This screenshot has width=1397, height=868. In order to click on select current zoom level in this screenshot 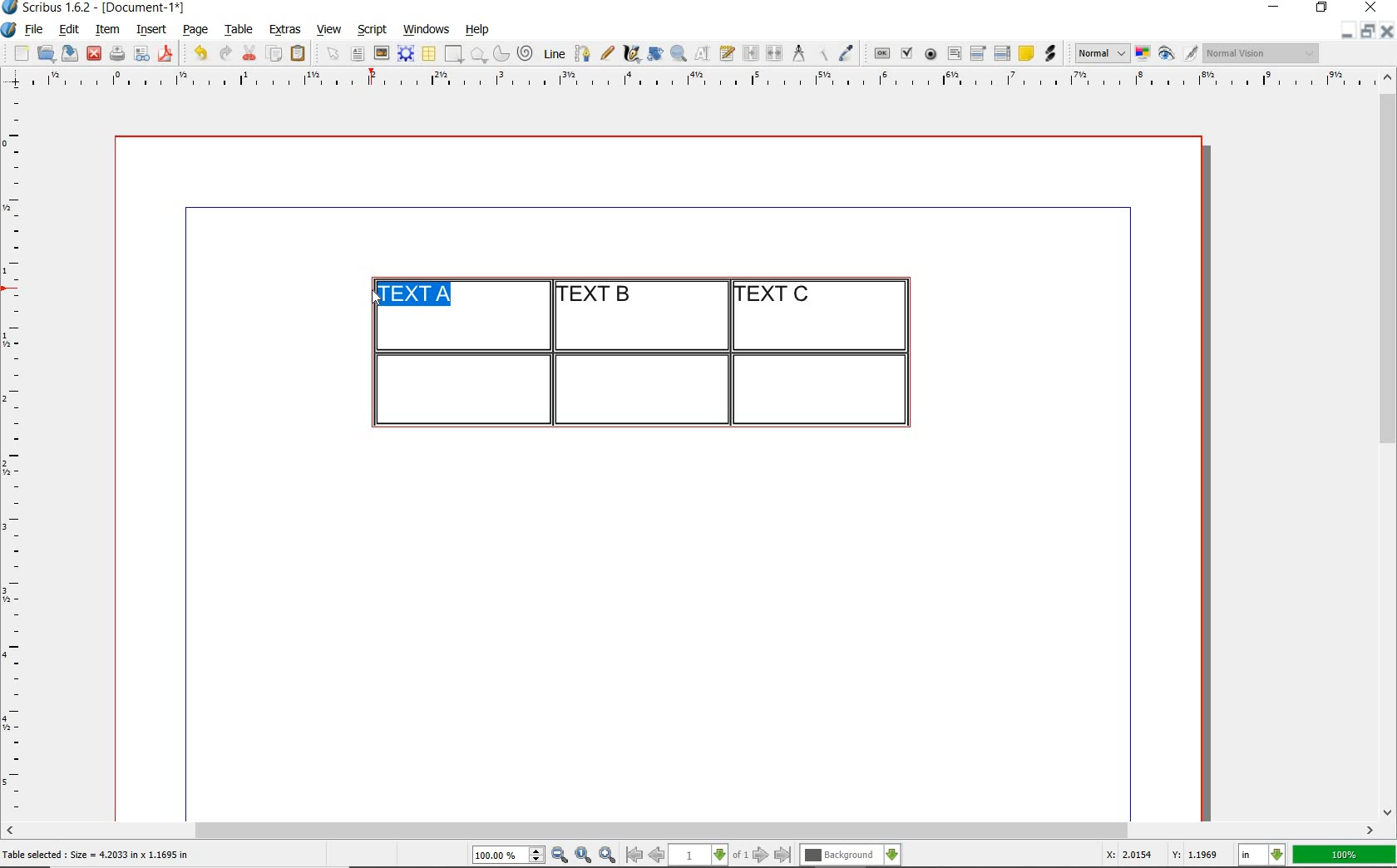, I will do `click(509, 855)`.